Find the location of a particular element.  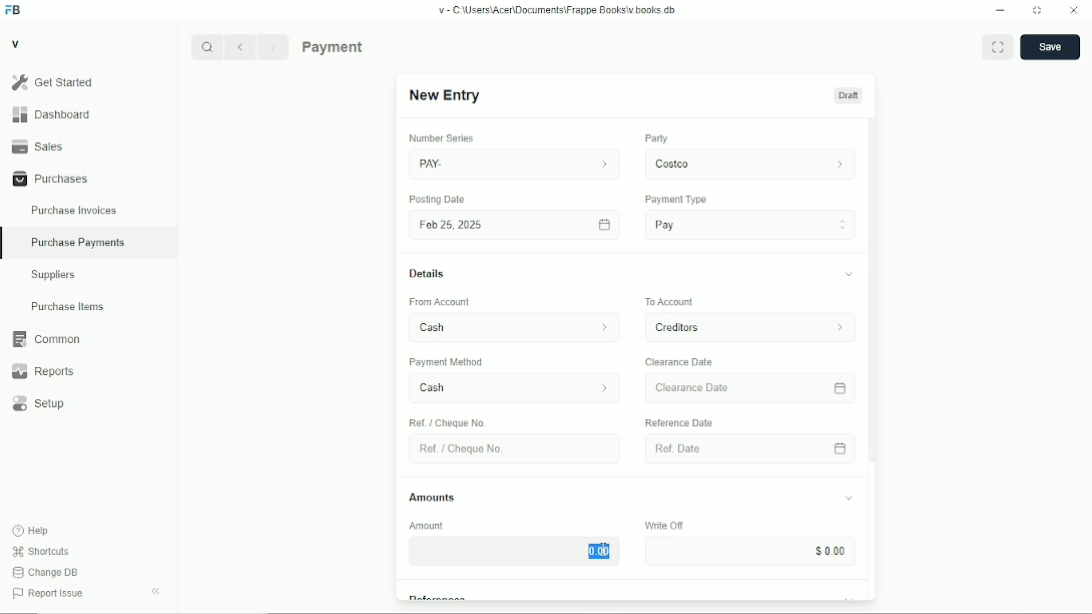

costco is located at coordinates (751, 162).